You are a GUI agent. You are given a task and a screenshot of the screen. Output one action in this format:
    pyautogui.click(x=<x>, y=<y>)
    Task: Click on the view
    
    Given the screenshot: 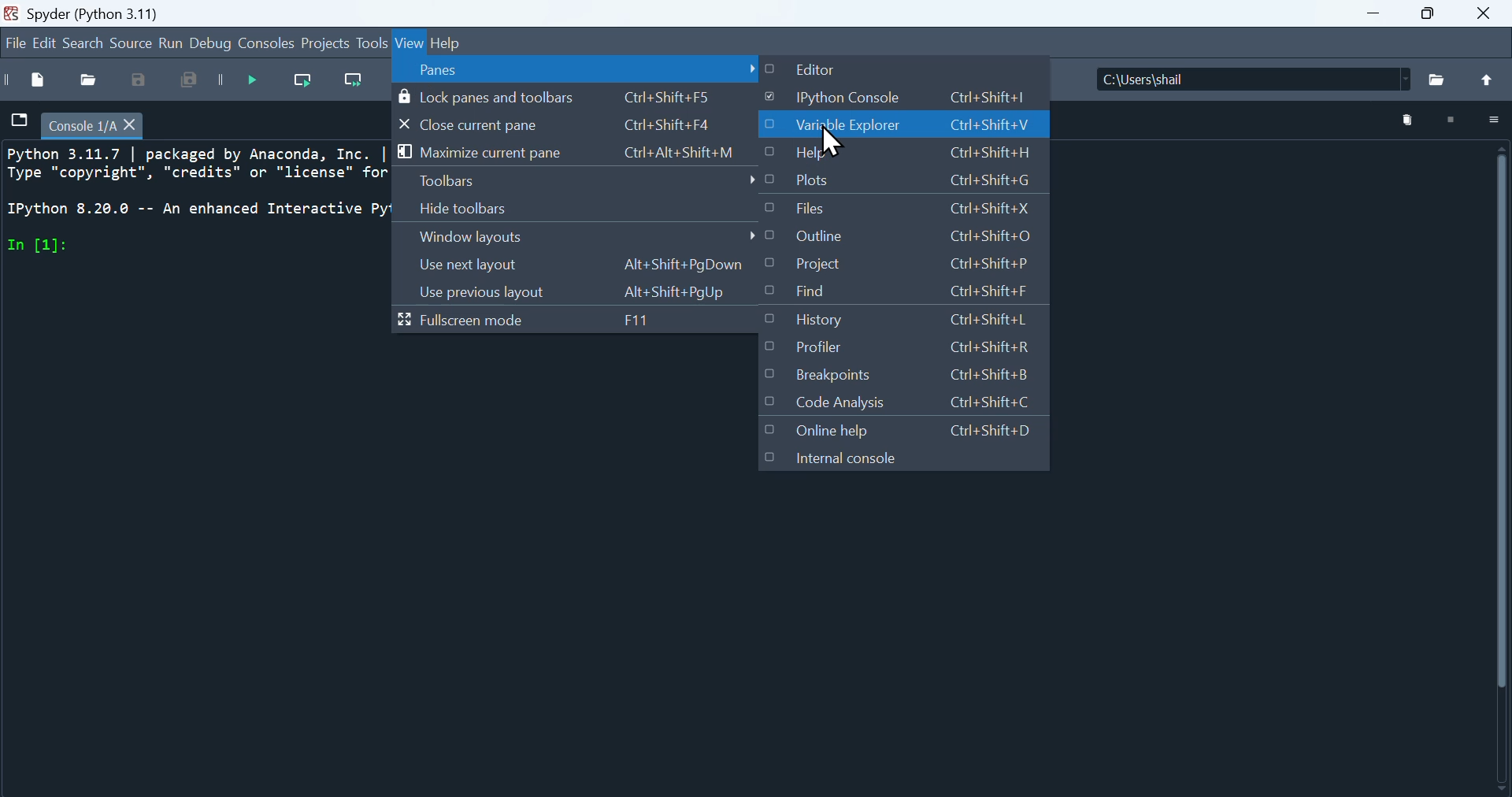 What is the action you would take?
    pyautogui.click(x=409, y=40)
    